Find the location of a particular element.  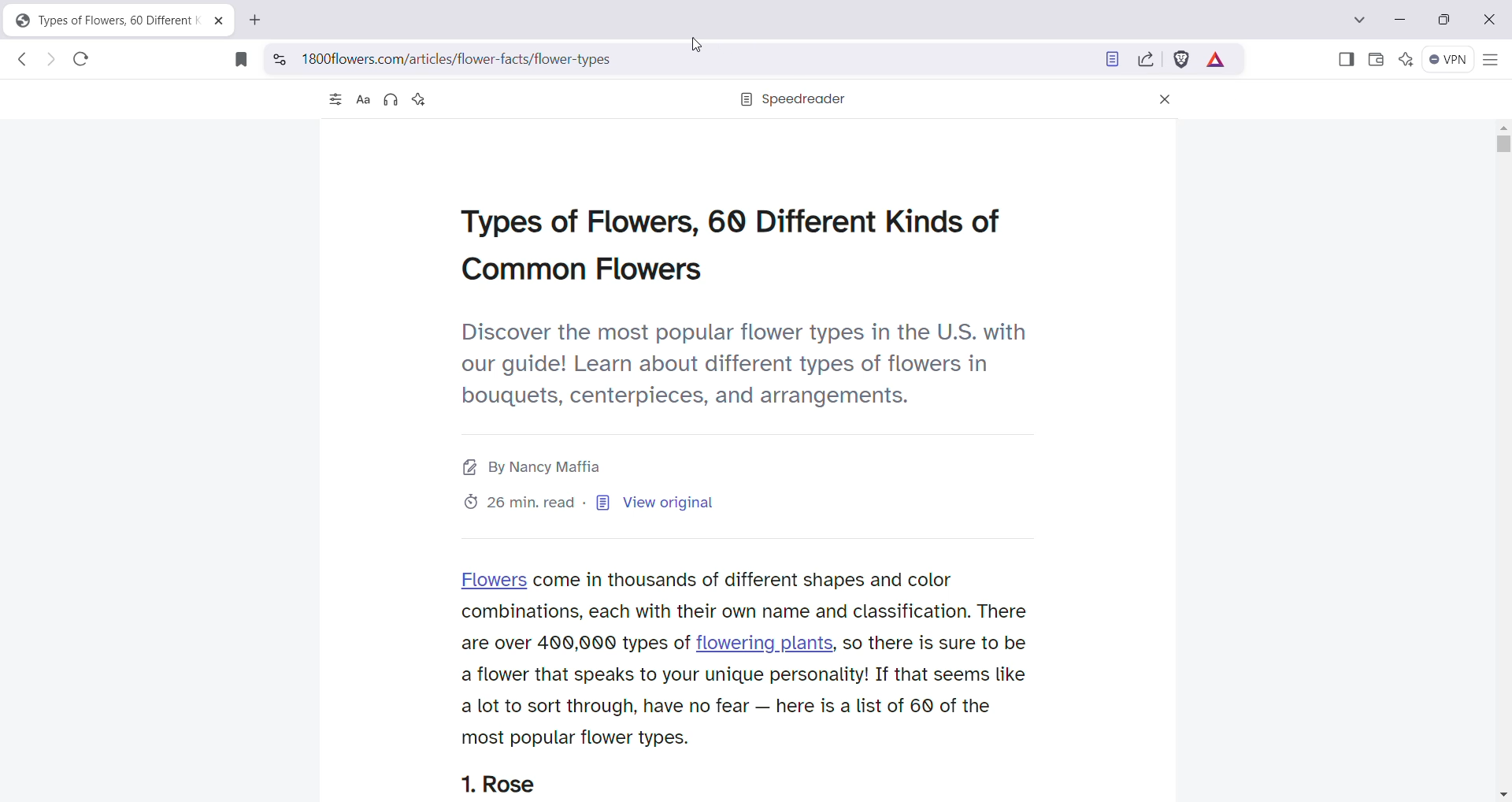

so there is sure to be is located at coordinates (936, 644).